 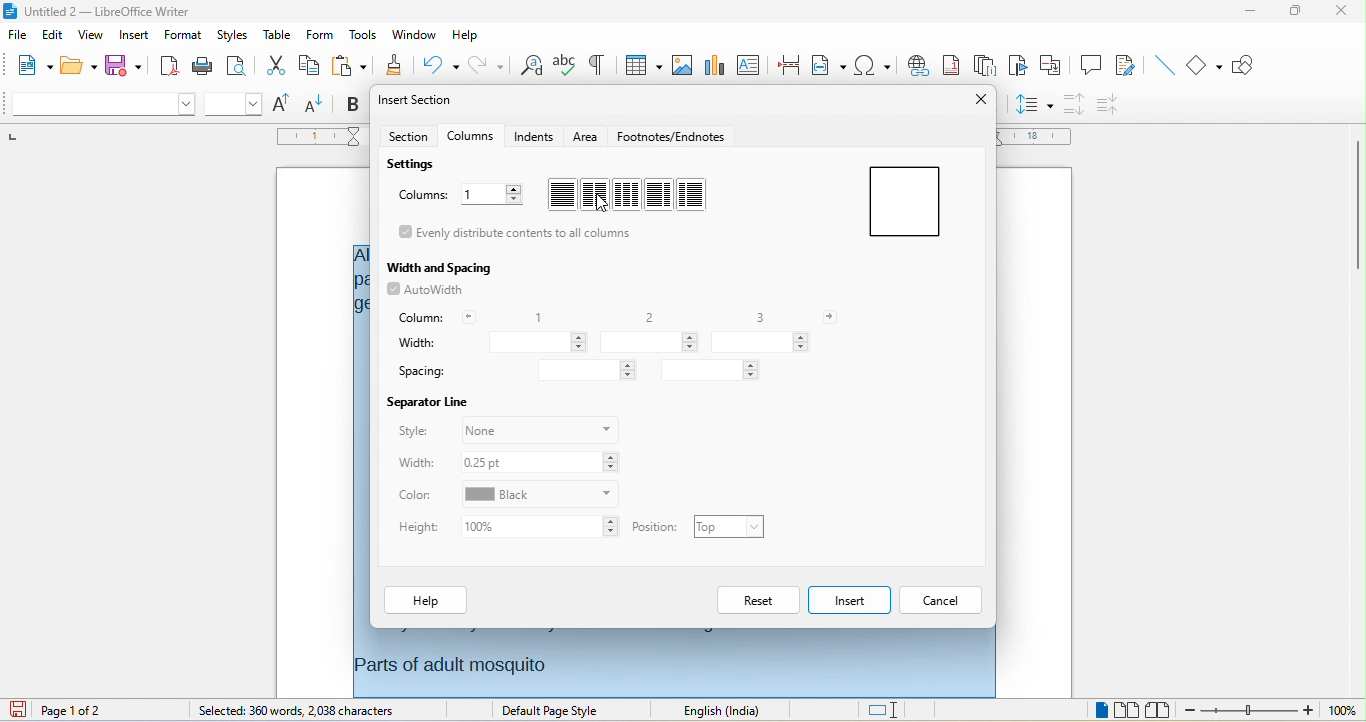 What do you see at coordinates (531, 67) in the screenshot?
I see `find and replace` at bounding box center [531, 67].